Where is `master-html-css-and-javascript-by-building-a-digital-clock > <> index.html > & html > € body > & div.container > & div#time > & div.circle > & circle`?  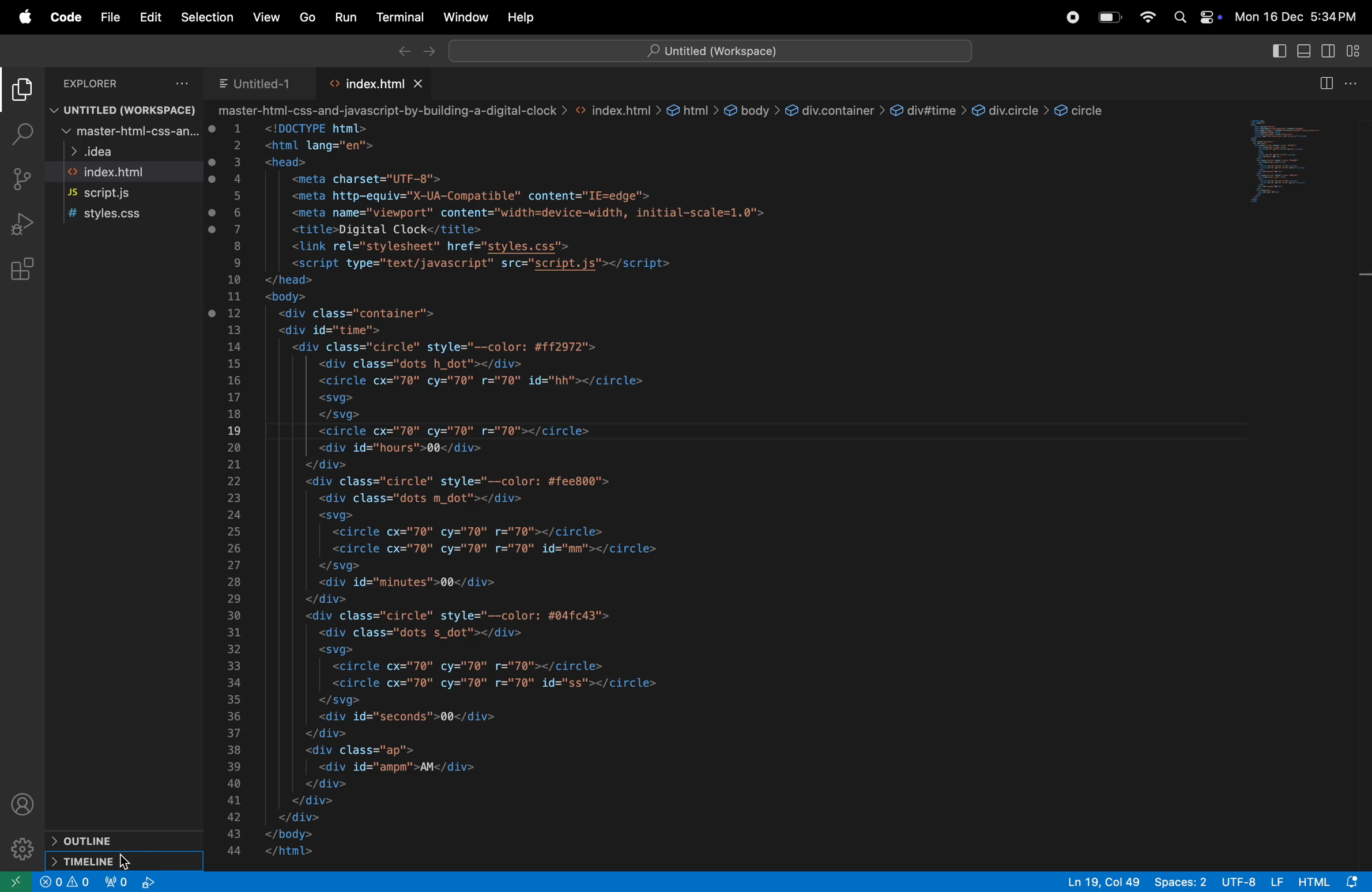
master-html-css-and-javascript-by-building-a-digital-clock > <> index.html > & html > € body > & div.container > & div#time > & div.circle > & circle is located at coordinates (664, 110).